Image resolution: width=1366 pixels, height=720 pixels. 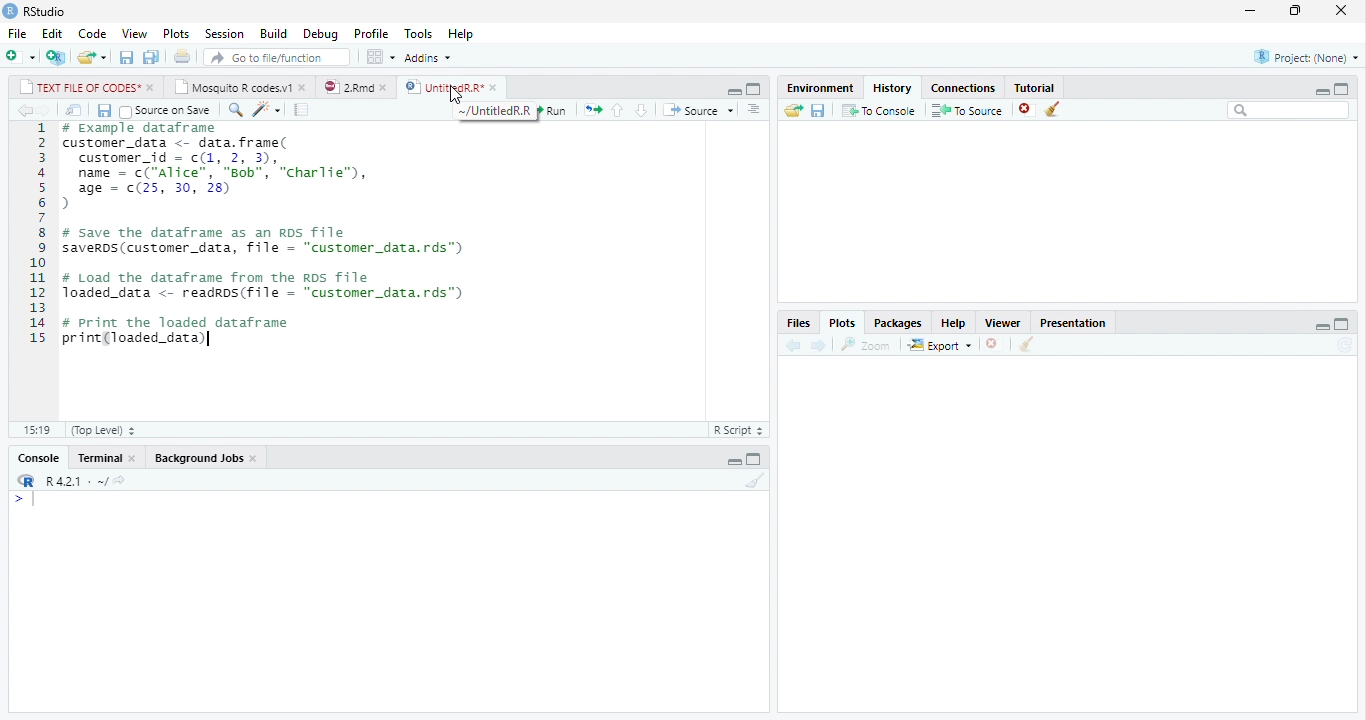 I want to click on search file, so click(x=278, y=57).